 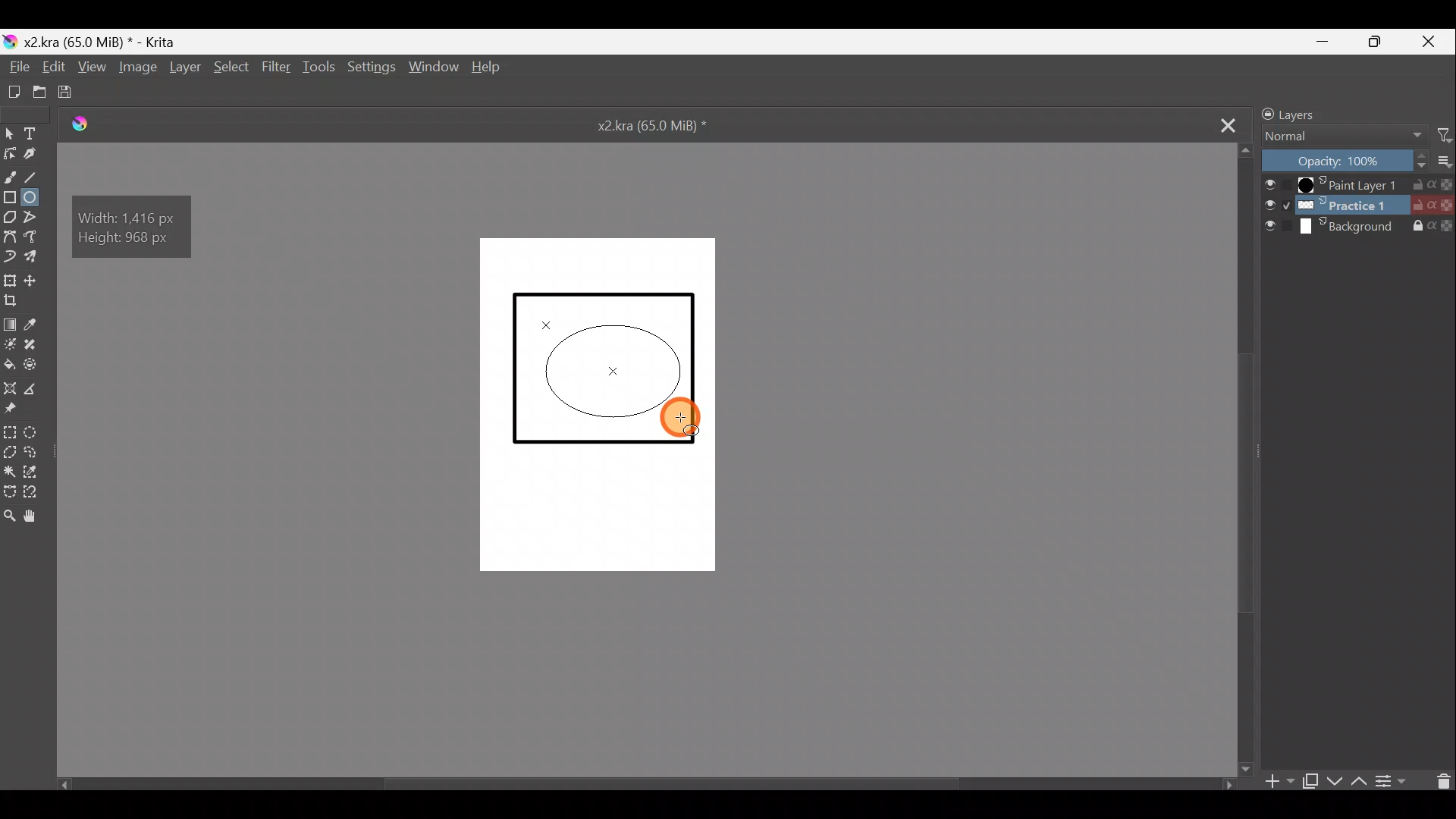 What do you see at coordinates (37, 493) in the screenshot?
I see `Magnetic curve selection tool` at bounding box center [37, 493].